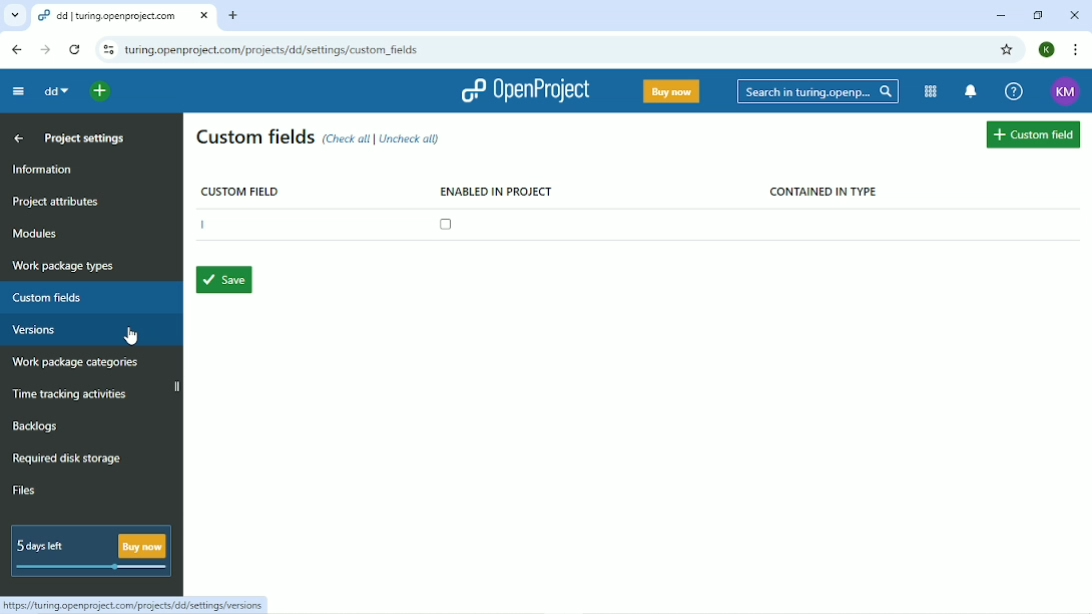 The image size is (1092, 614). Describe the element at coordinates (1041, 16) in the screenshot. I see `Restore down` at that location.